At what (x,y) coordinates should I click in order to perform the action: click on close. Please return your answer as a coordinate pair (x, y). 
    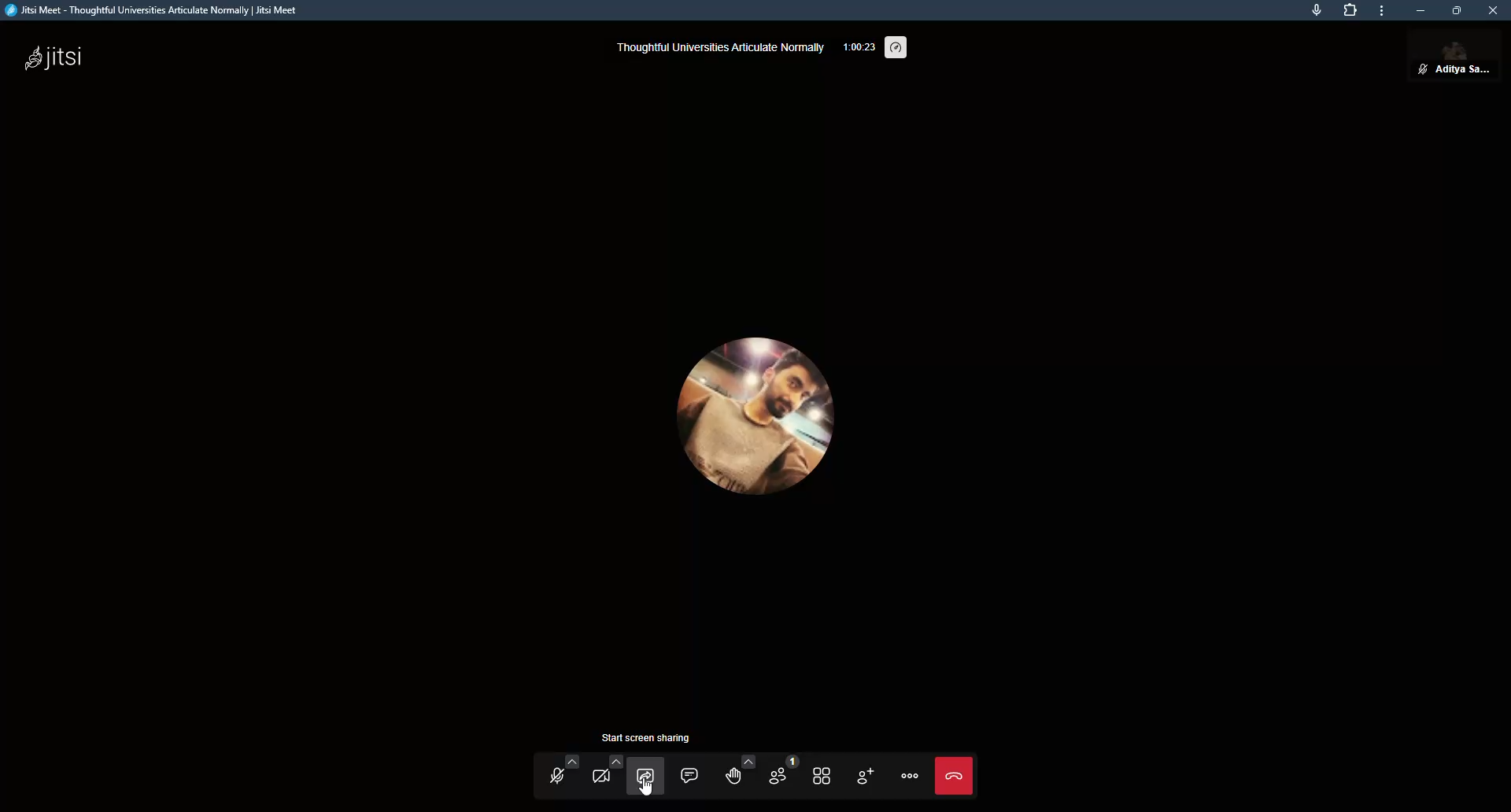
    Looking at the image, I should click on (1494, 12).